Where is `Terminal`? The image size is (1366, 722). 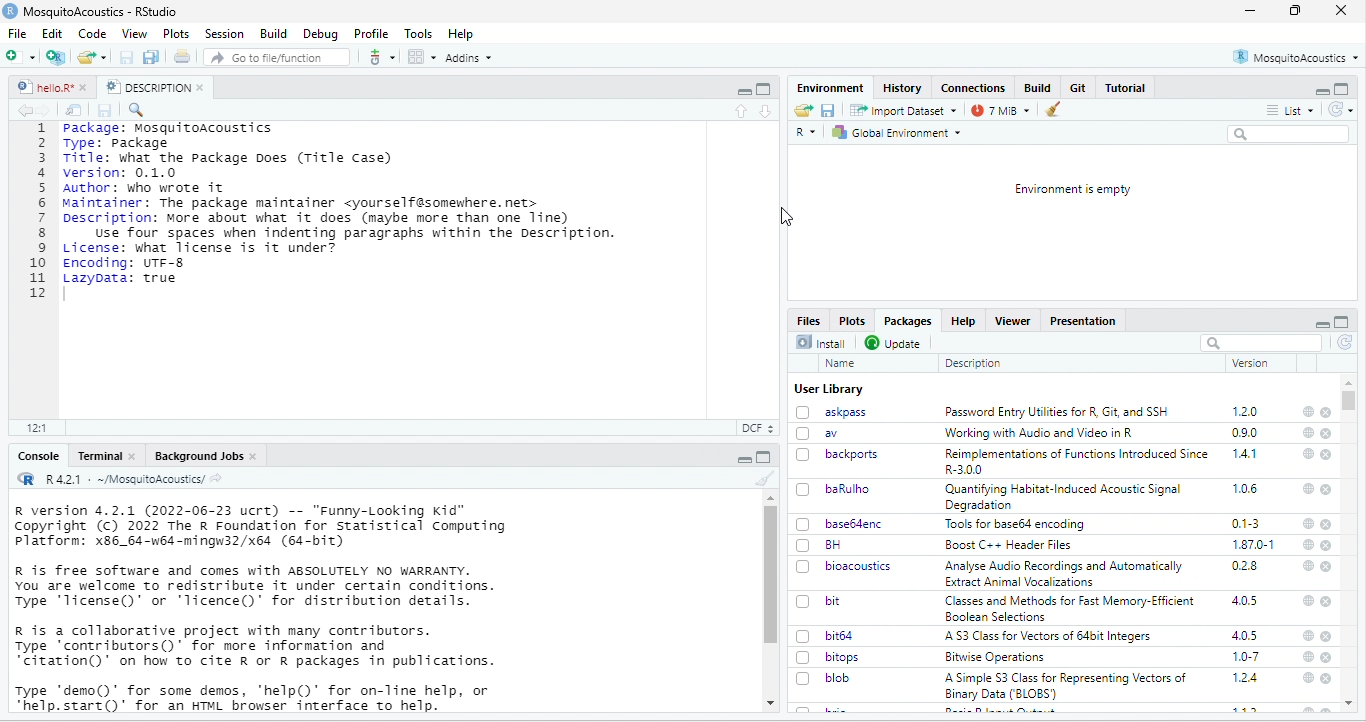 Terminal is located at coordinates (105, 455).